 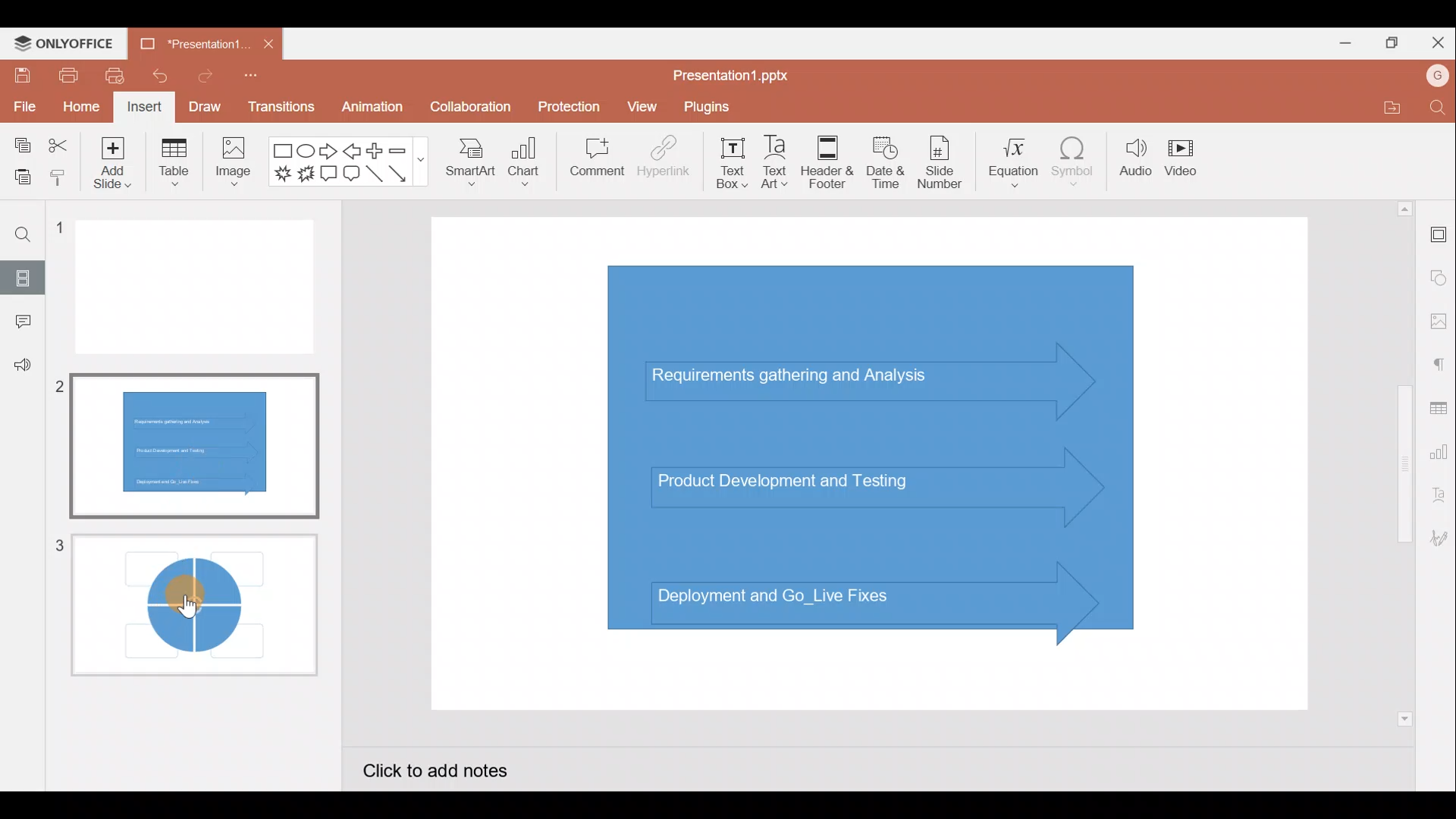 I want to click on Table settings, so click(x=1439, y=408).